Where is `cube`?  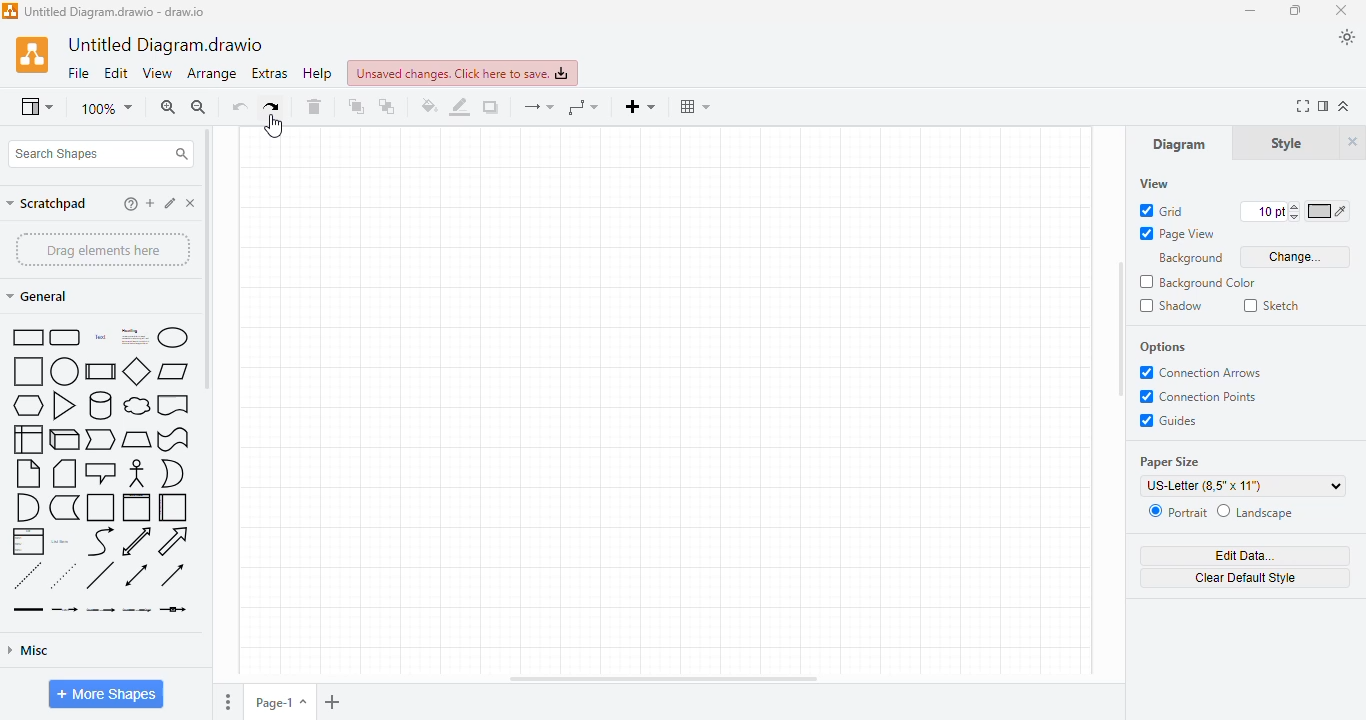 cube is located at coordinates (65, 440).